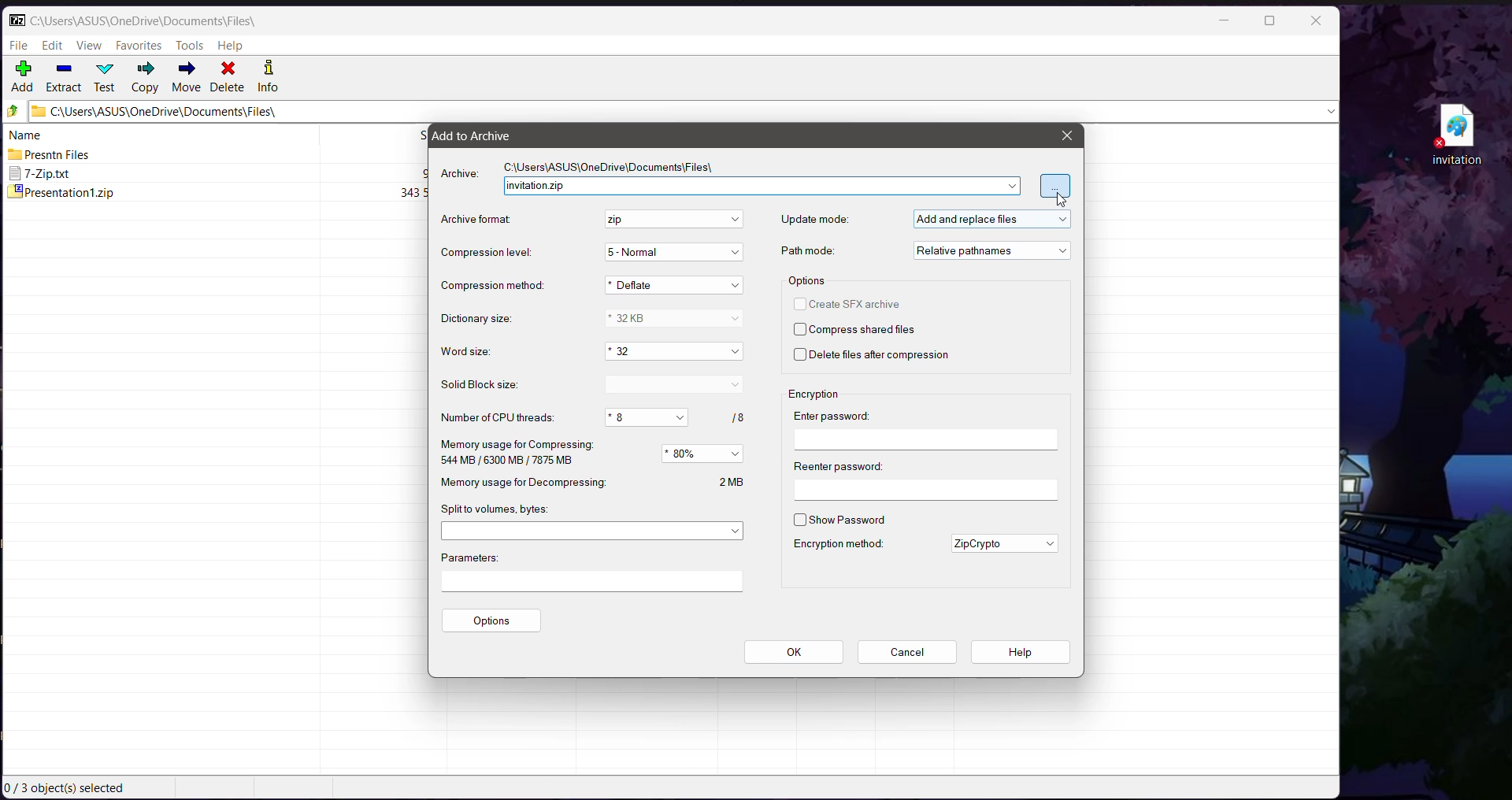 Image resolution: width=1512 pixels, height=800 pixels. Describe the element at coordinates (185, 77) in the screenshot. I see `Move` at that location.